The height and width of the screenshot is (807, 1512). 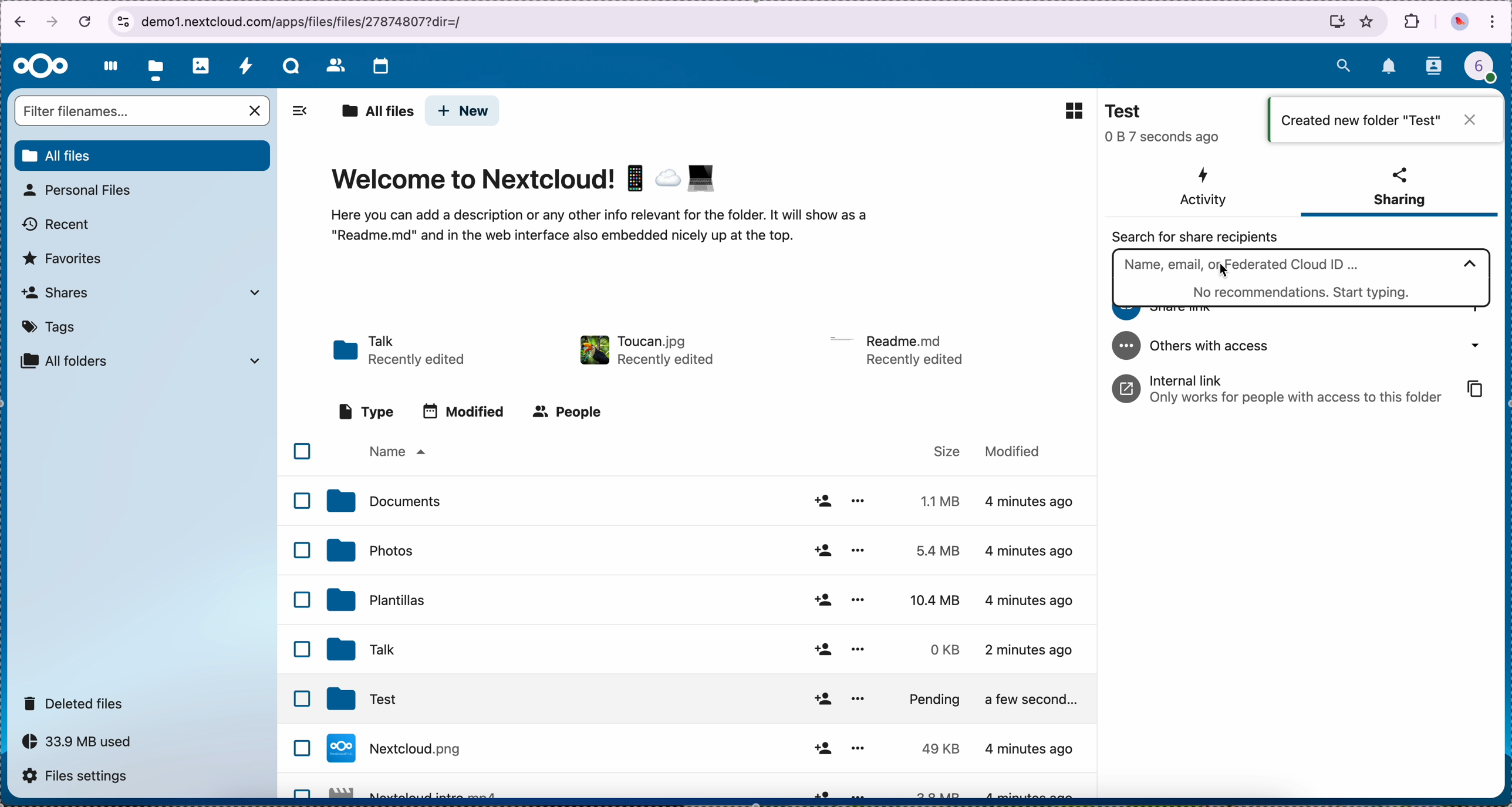 I want to click on Test, so click(x=1129, y=112).